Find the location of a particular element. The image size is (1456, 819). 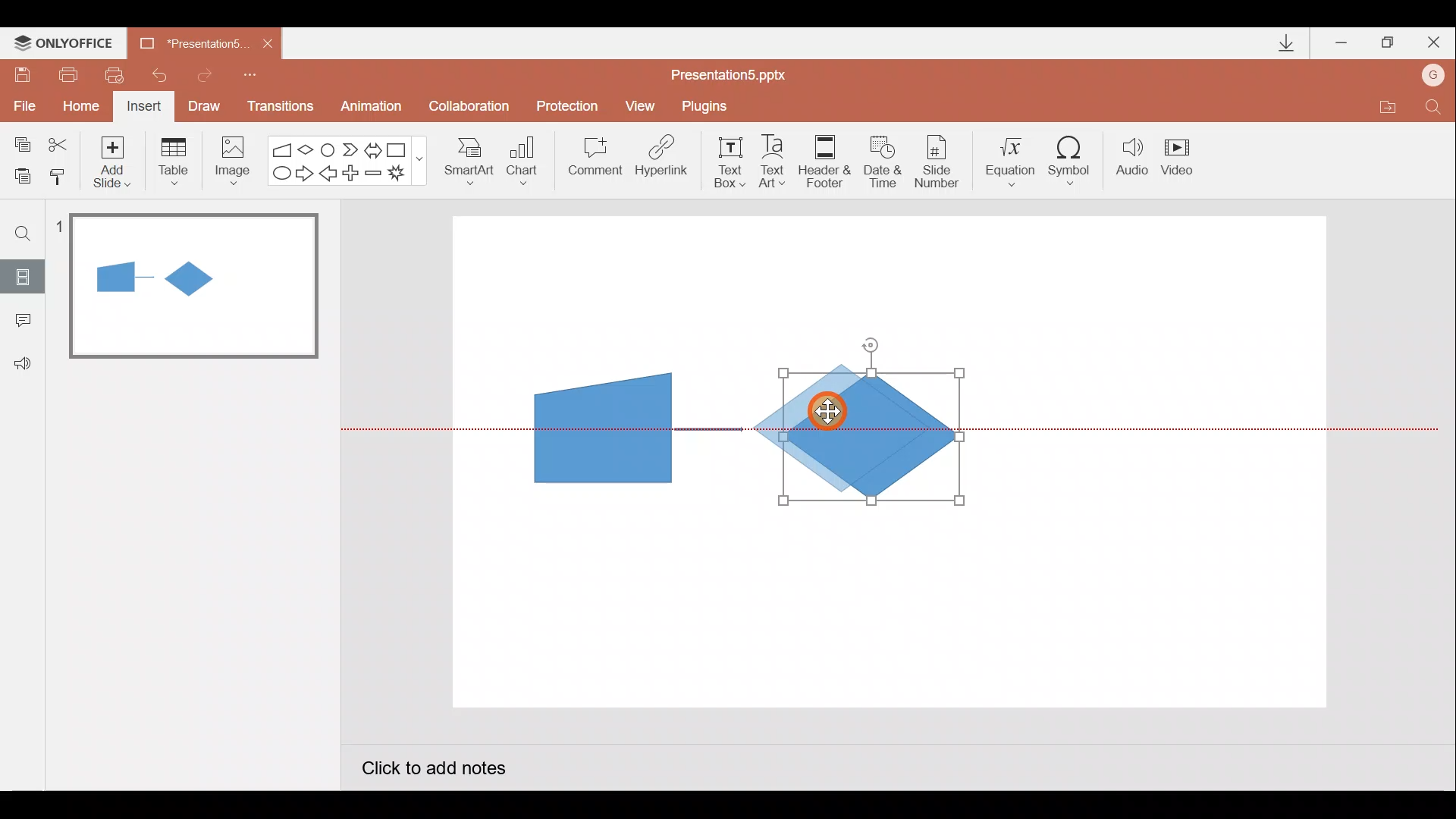

Close is located at coordinates (1434, 45).